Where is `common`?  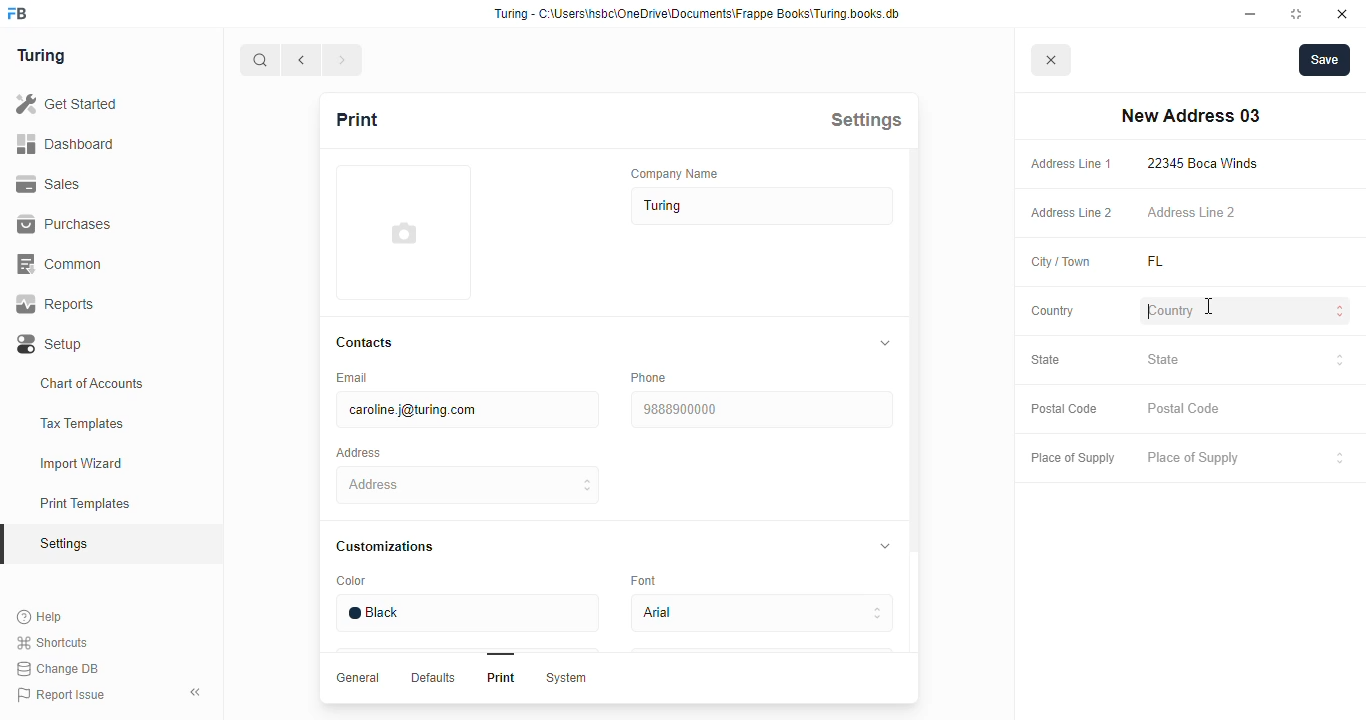
common is located at coordinates (62, 264).